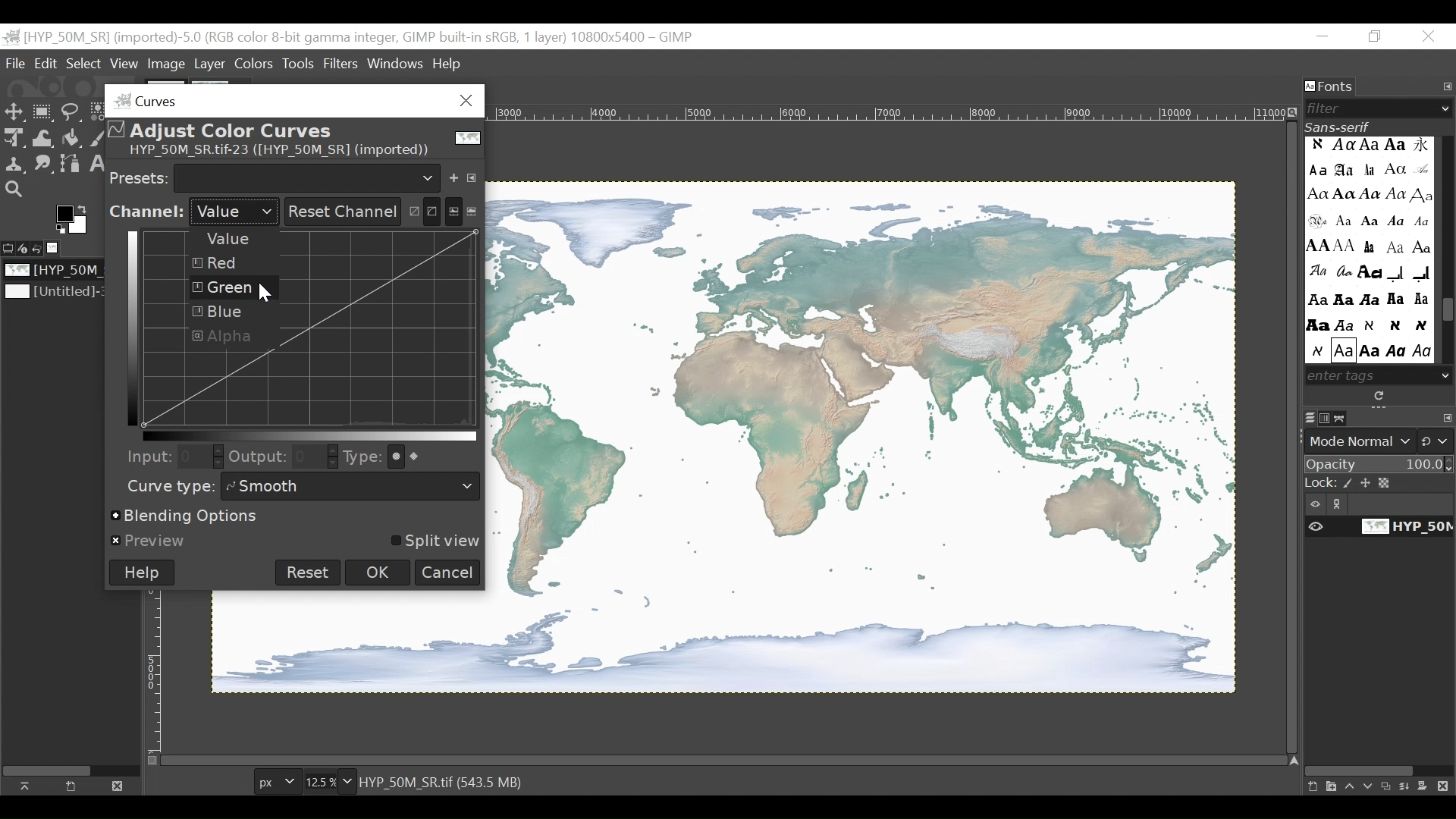 This screenshot has width=1456, height=819. What do you see at coordinates (350, 36) in the screenshot?
I see `untitled -36.0 (rgb color 8-bit gamma integer , gimp built in stgb, 1 layer) 1174x788 - gimp` at bounding box center [350, 36].